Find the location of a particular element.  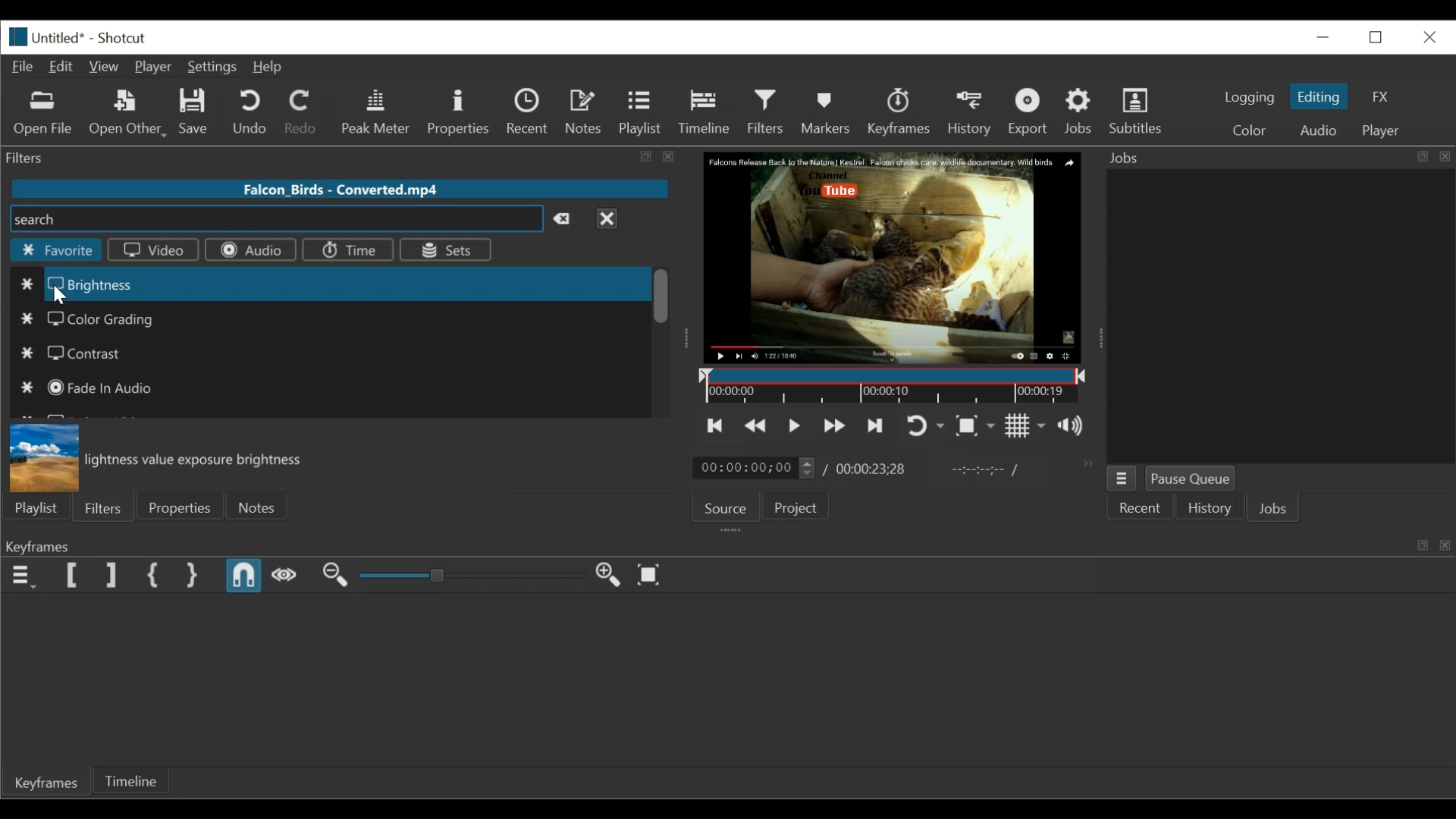

Brightness is located at coordinates (330, 284).